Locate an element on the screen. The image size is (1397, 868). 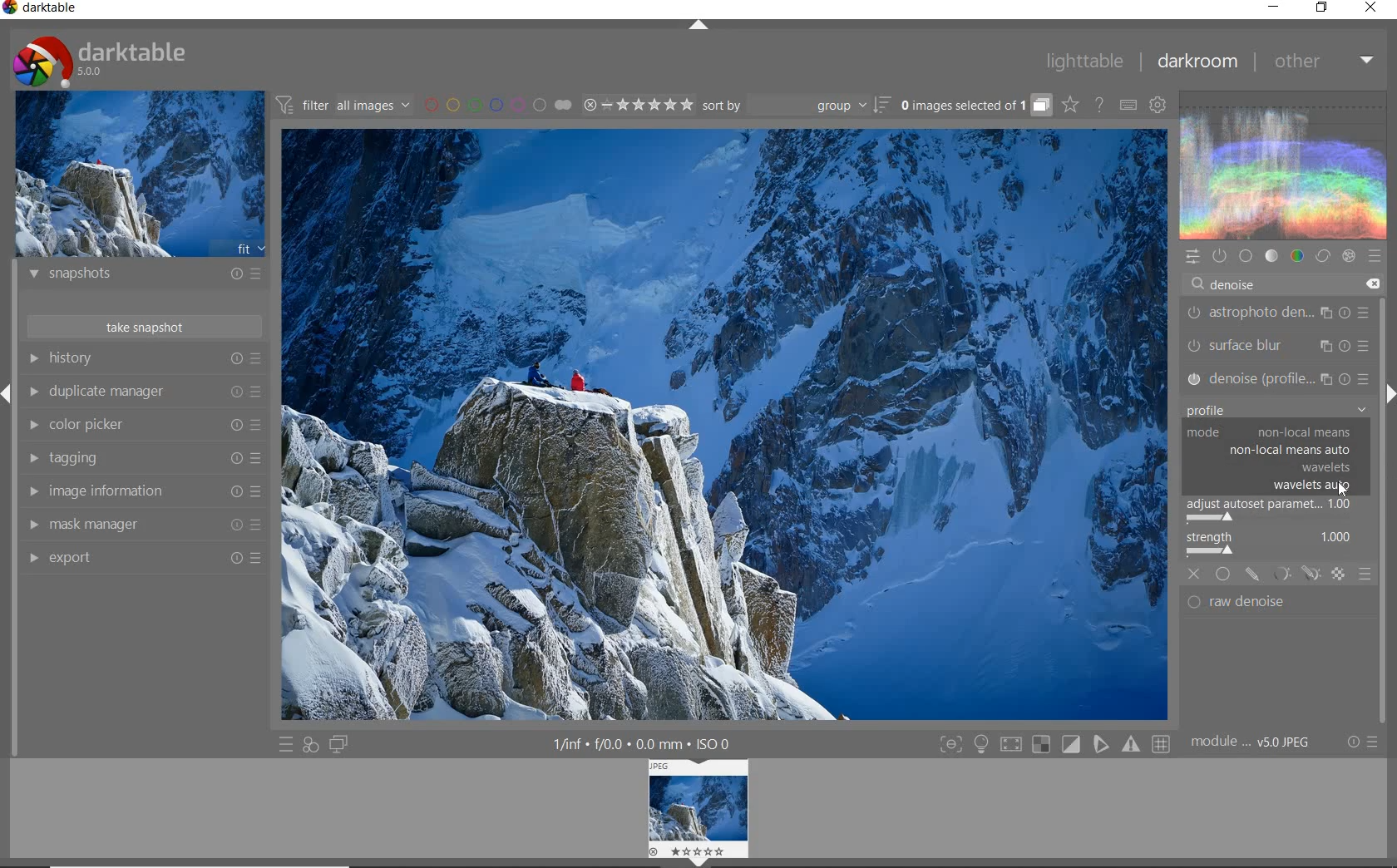
delete is located at coordinates (1371, 284).